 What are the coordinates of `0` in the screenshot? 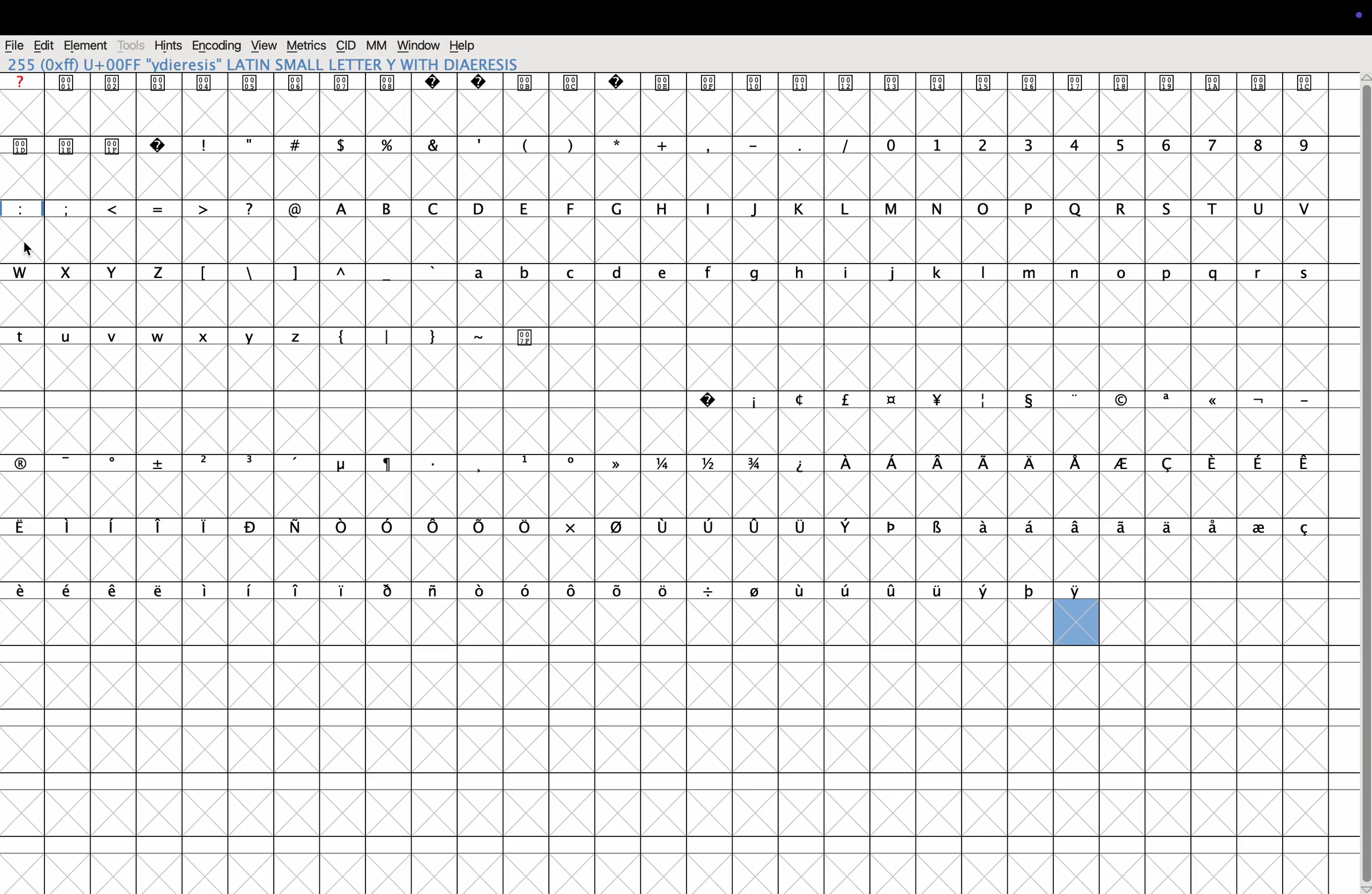 It's located at (892, 167).